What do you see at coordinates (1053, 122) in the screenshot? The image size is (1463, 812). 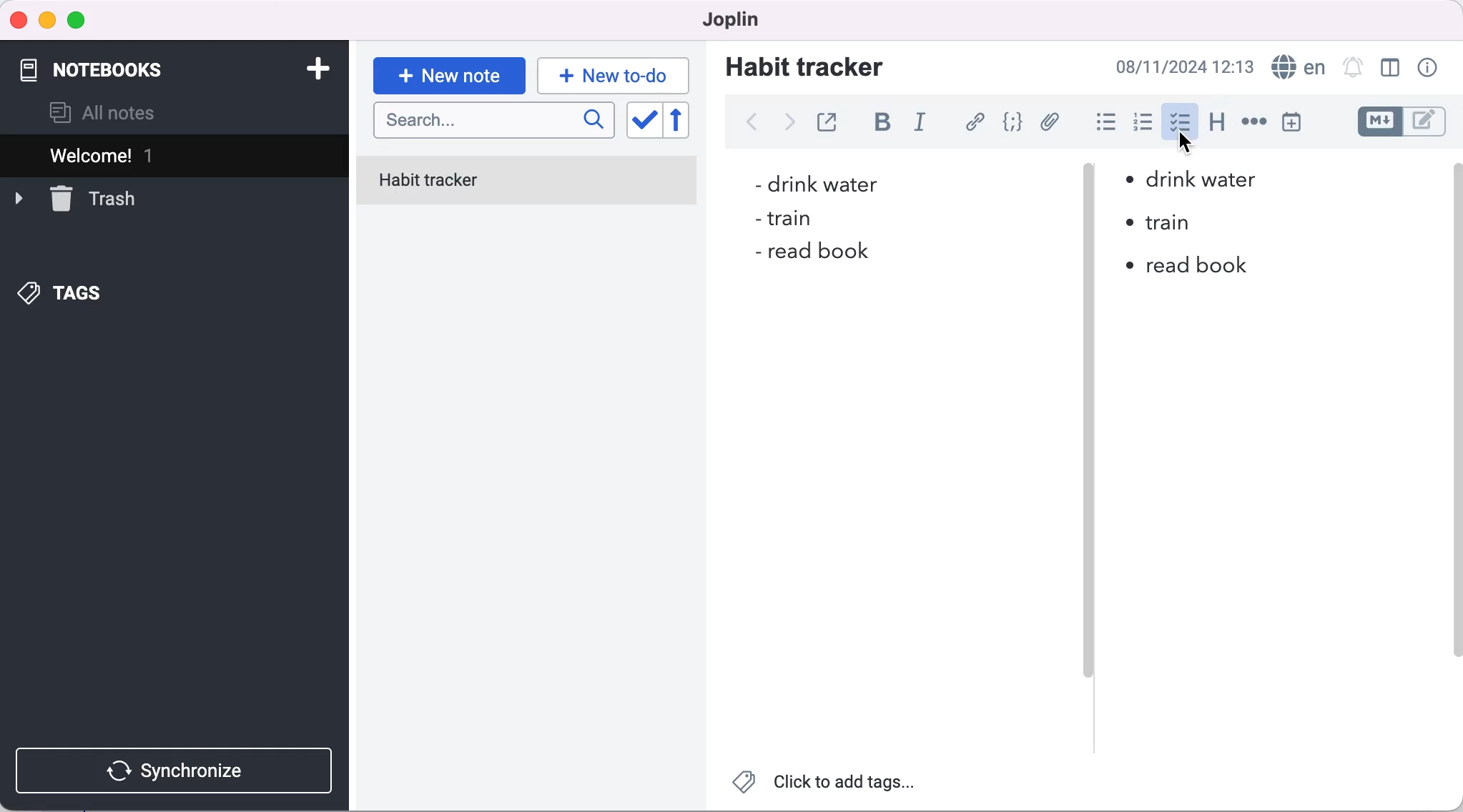 I see `attach file` at bounding box center [1053, 122].